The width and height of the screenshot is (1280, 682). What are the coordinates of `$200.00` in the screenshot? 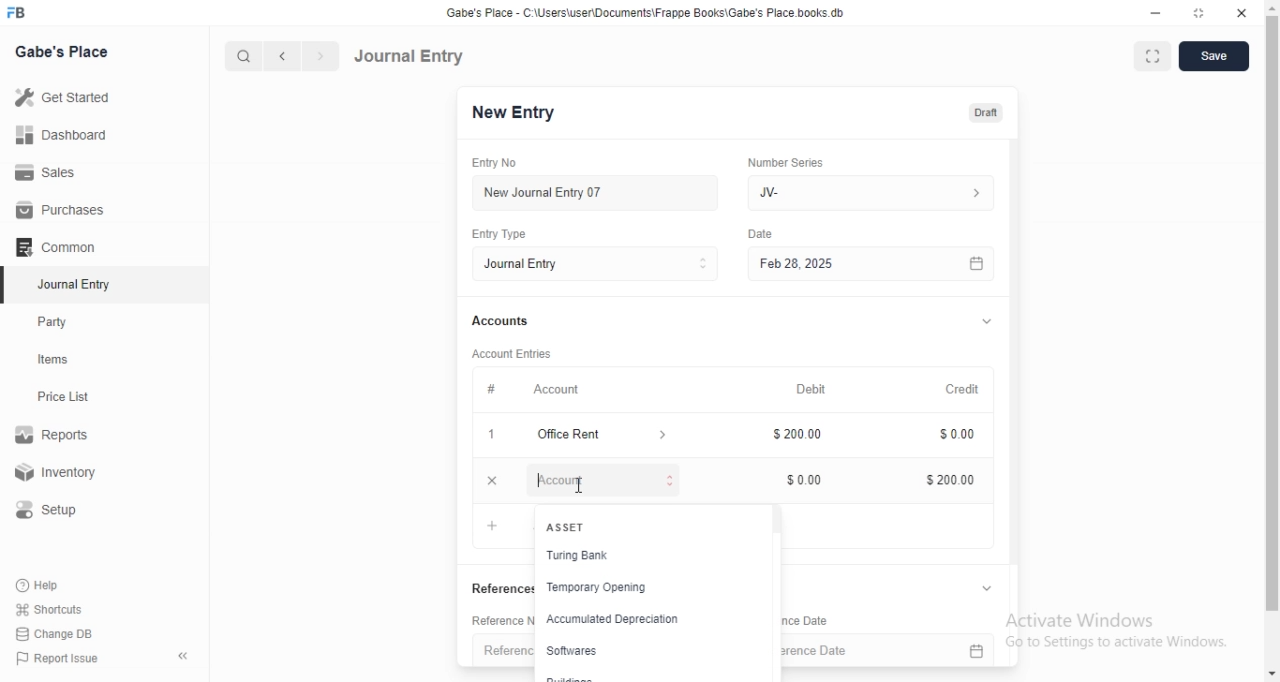 It's located at (954, 480).